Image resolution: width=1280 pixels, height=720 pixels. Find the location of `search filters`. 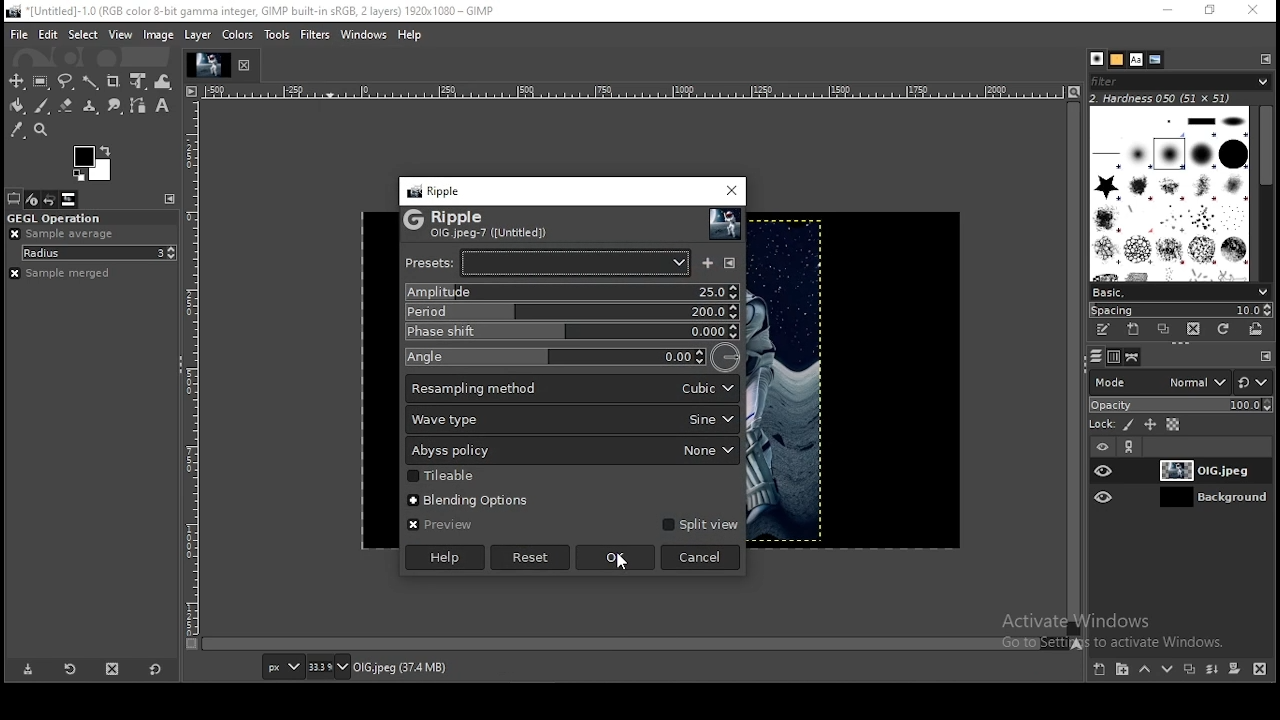

search filters is located at coordinates (1181, 80).